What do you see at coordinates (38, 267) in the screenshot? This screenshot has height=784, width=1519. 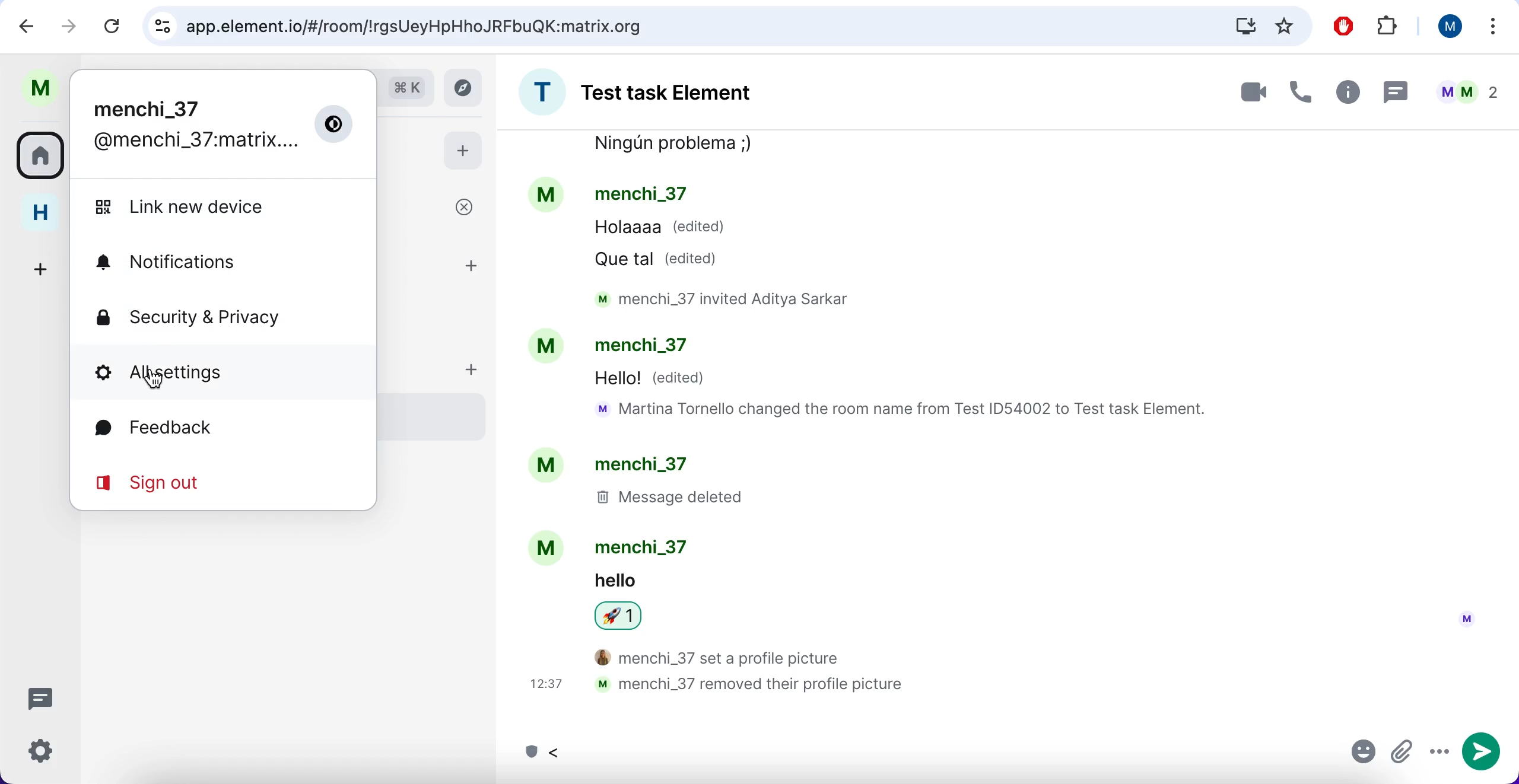 I see `create a space` at bounding box center [38, 267].